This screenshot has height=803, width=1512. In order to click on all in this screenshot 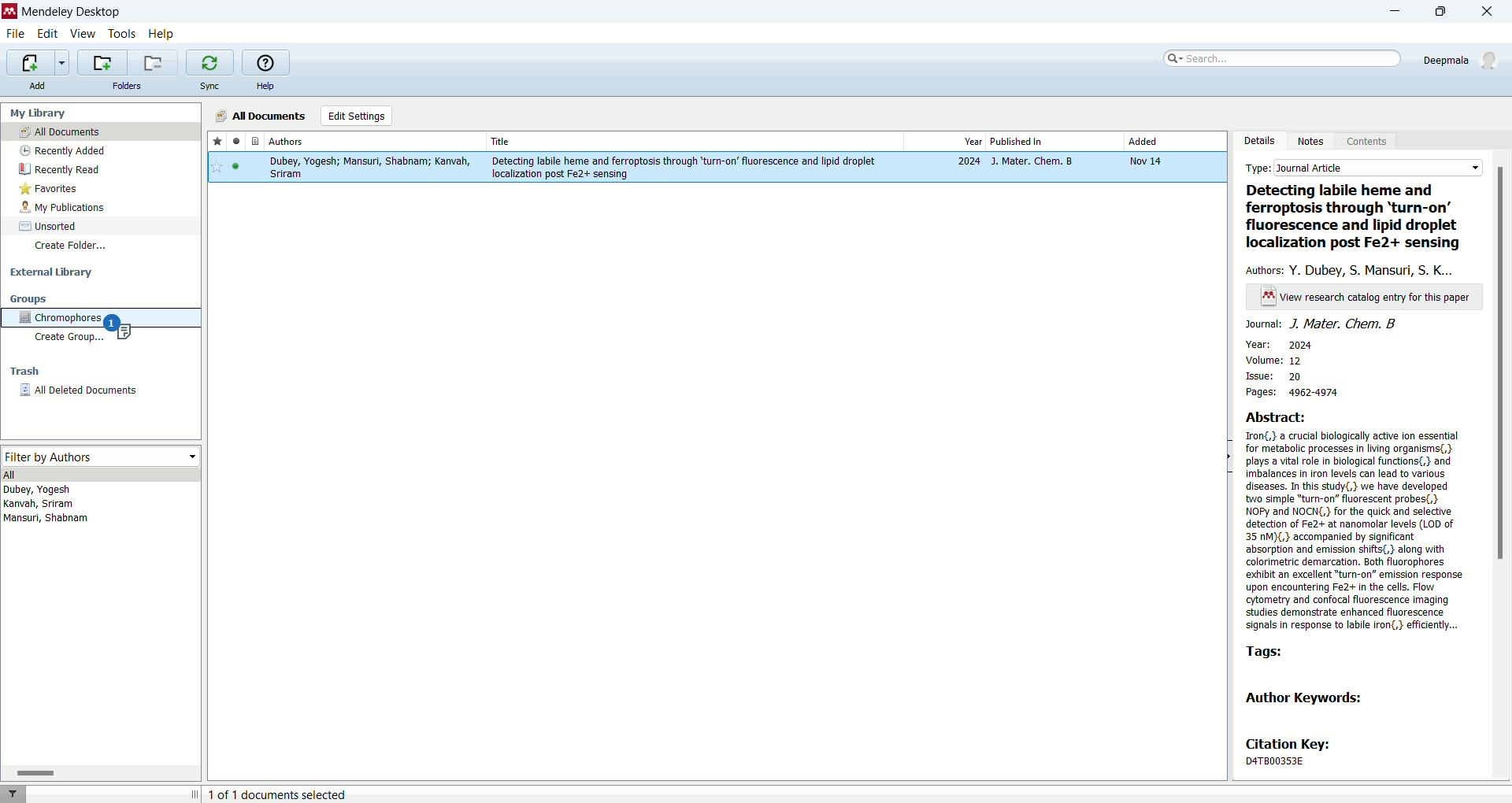, I will do `click(102, 475)`.